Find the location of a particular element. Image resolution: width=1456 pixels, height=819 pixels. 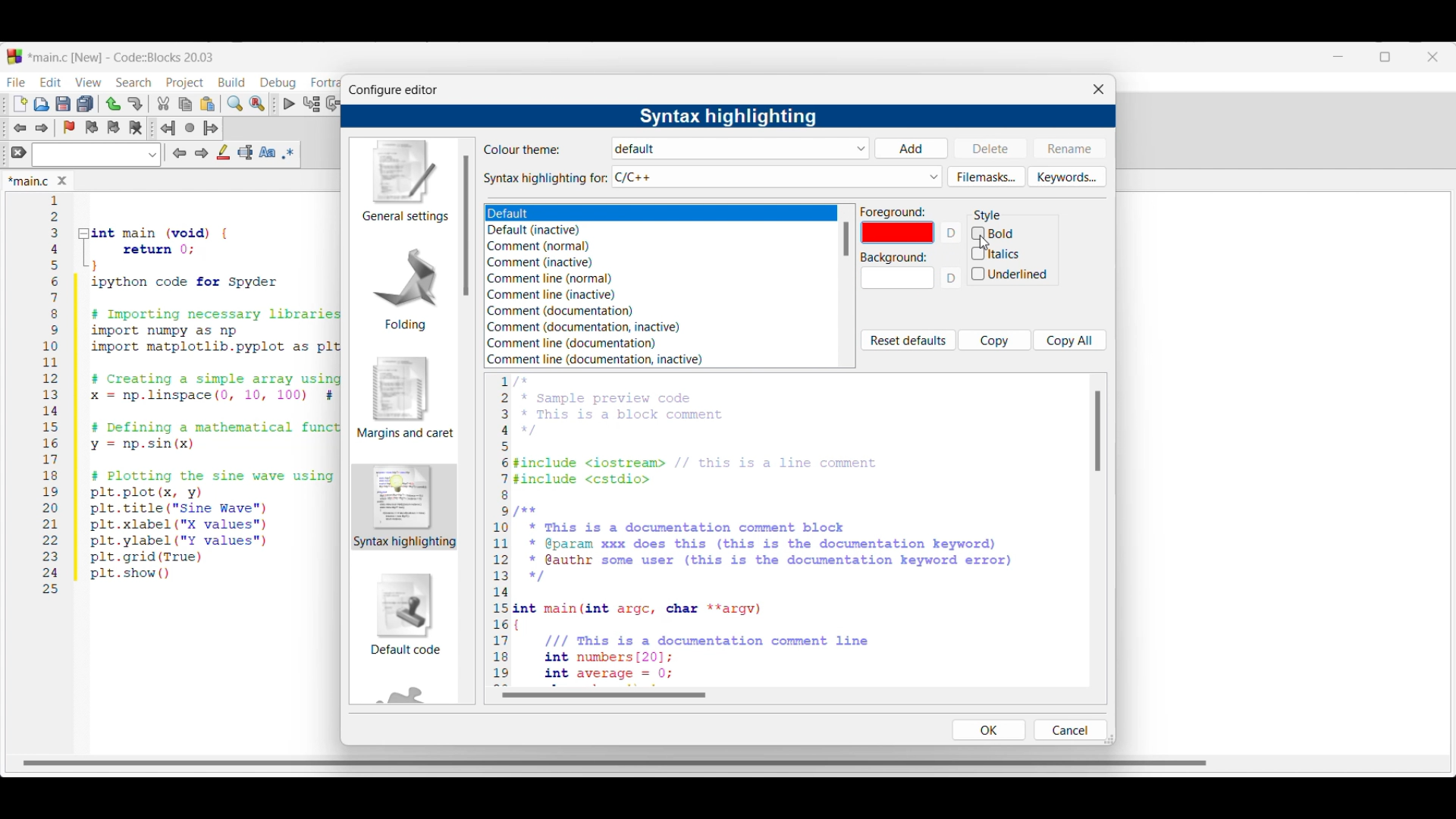

Comment (documentation, inactive) is located at coordinates (595, 328).